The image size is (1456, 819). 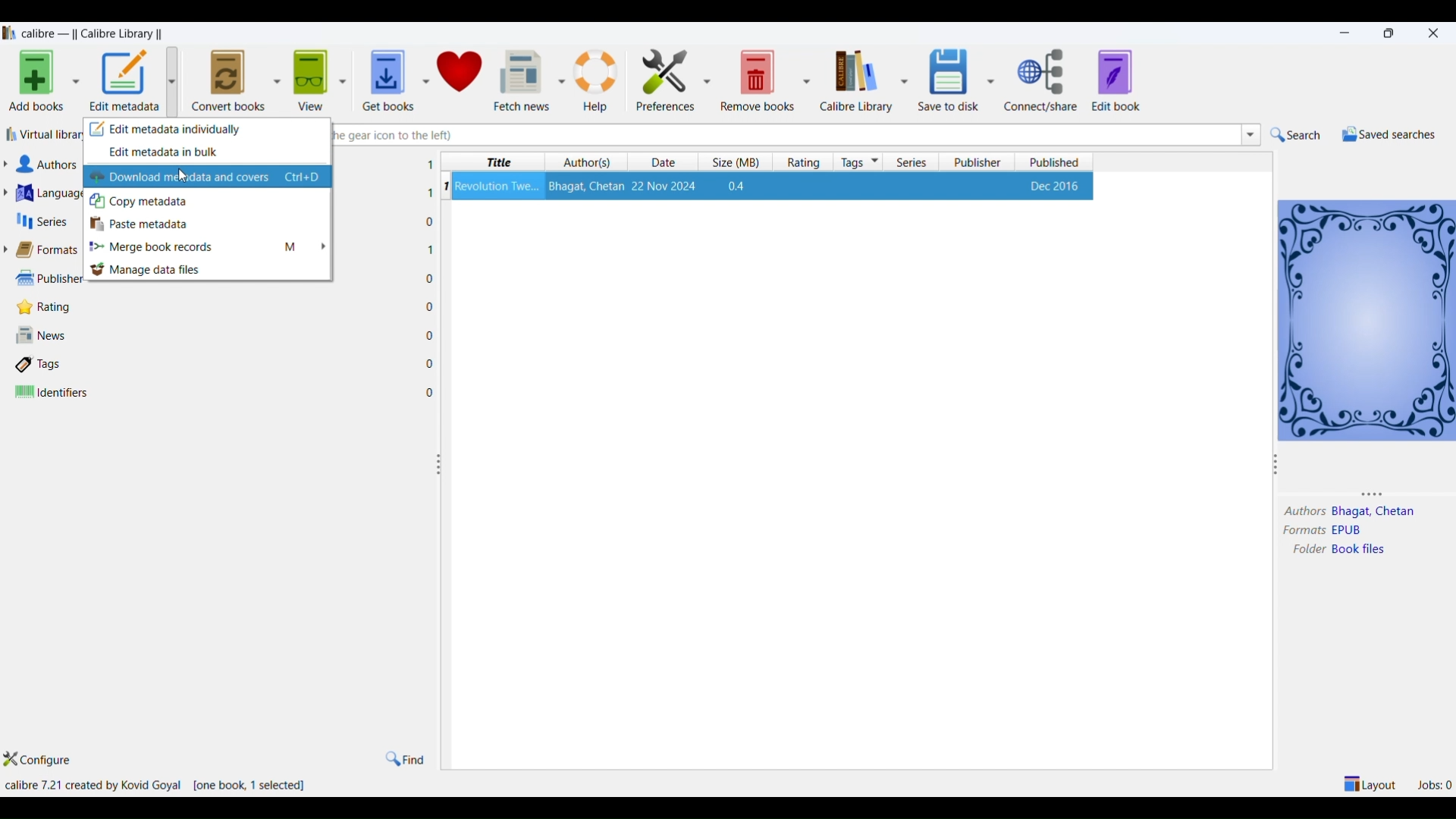 What do you see at coordinates (1371, 783) in the screenshot?
I see `layout` at bounding box center [1371, 783].